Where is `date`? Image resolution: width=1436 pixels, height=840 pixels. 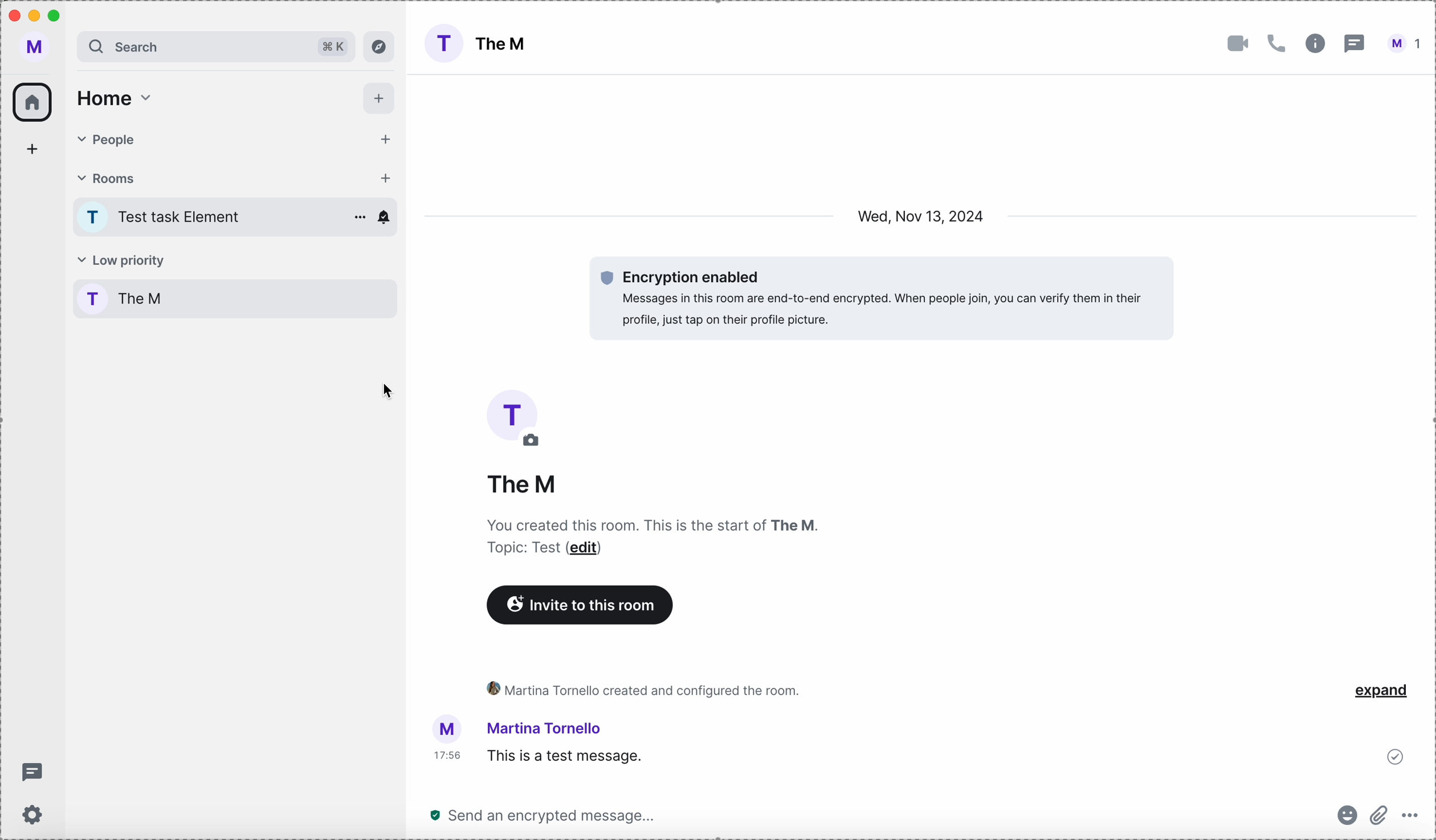 date is located at coordinates (923, 215).